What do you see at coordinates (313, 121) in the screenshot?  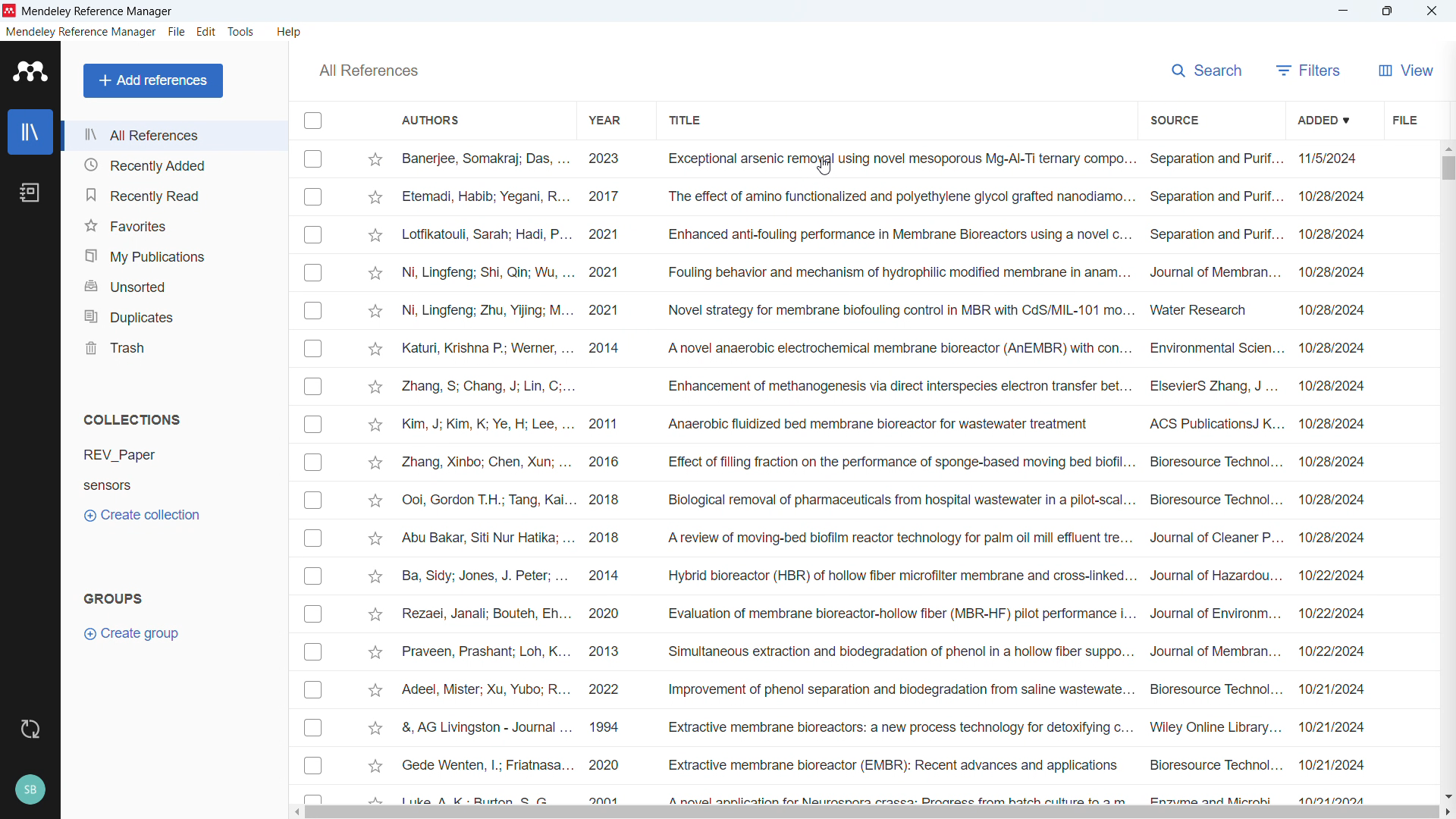 I see `Select all entries ` at bounding box center [313, 121].